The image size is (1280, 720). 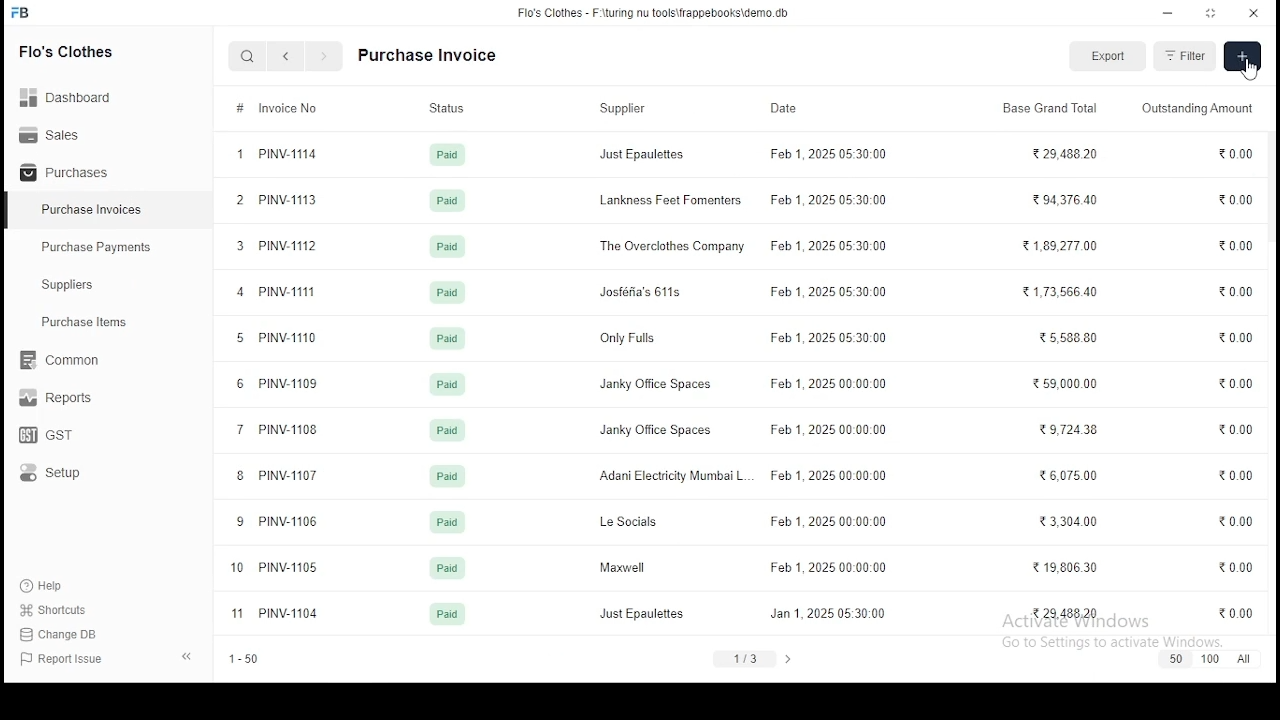 I want to click on 0.00, so click(x=1239, y=522).